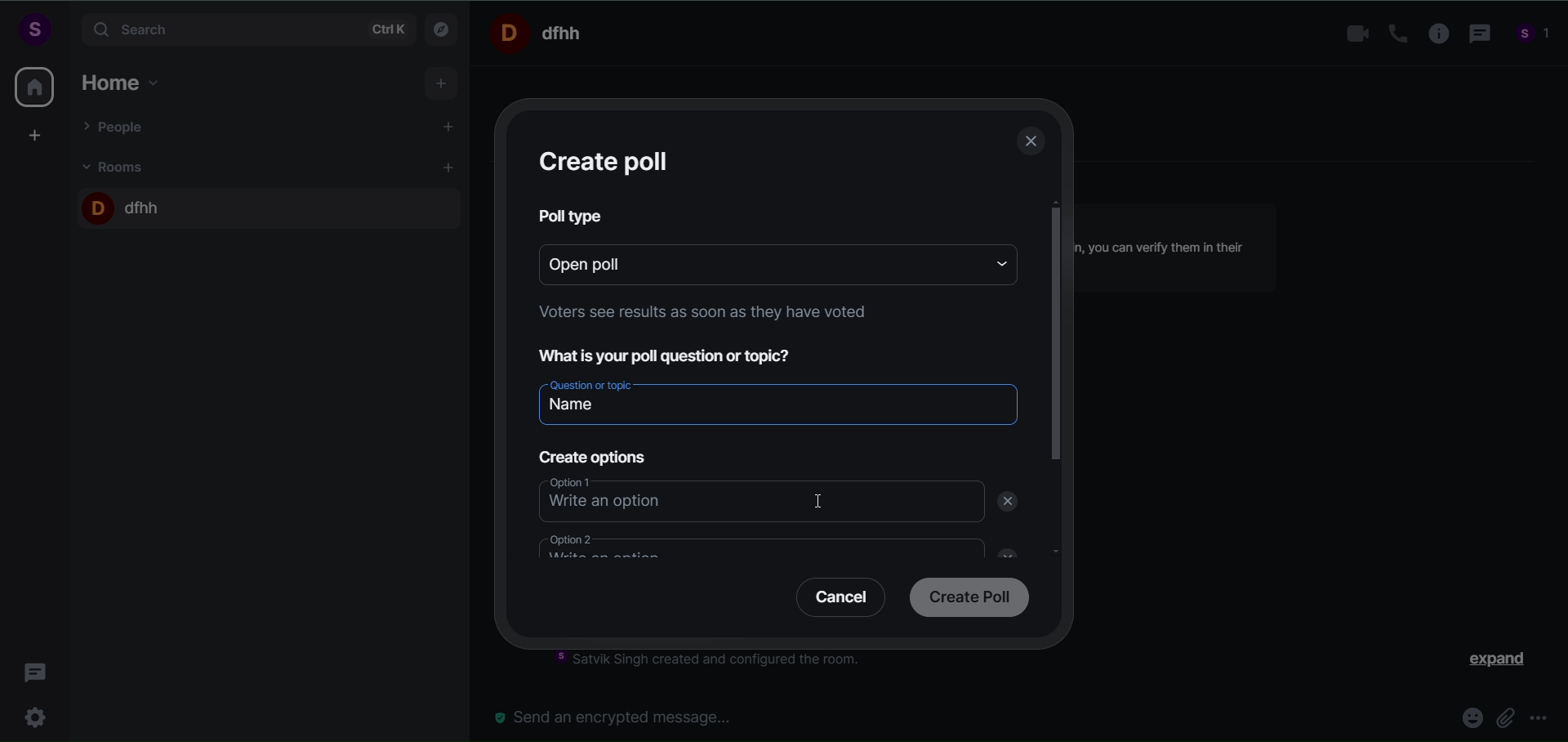  What do you see at coordinates (698, 315) in the screenshot?
I see `instruction` at bounding box center [698, 315].